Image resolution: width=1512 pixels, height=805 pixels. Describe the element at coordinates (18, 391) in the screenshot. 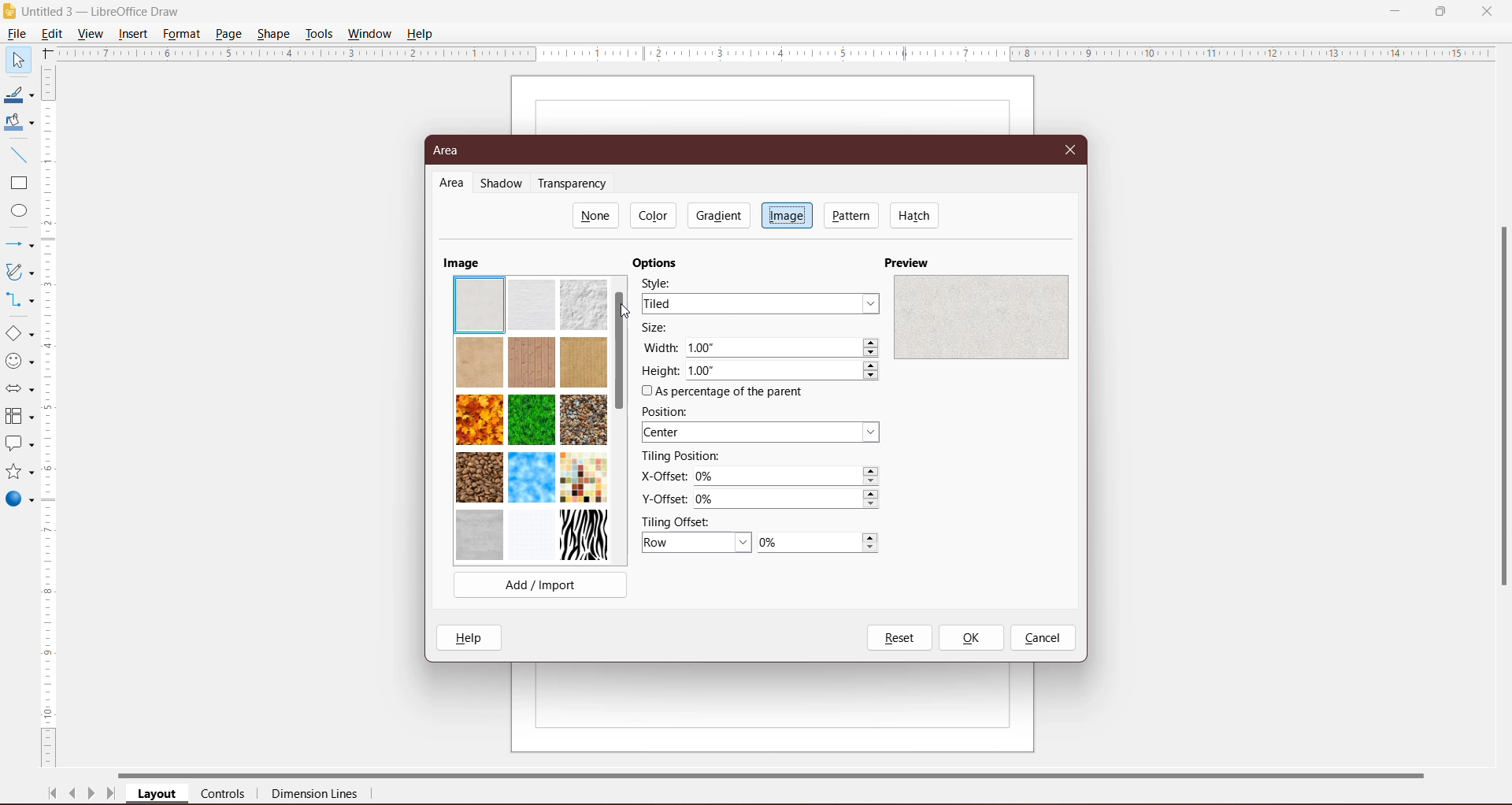

I see `Block Arrows` at that location.